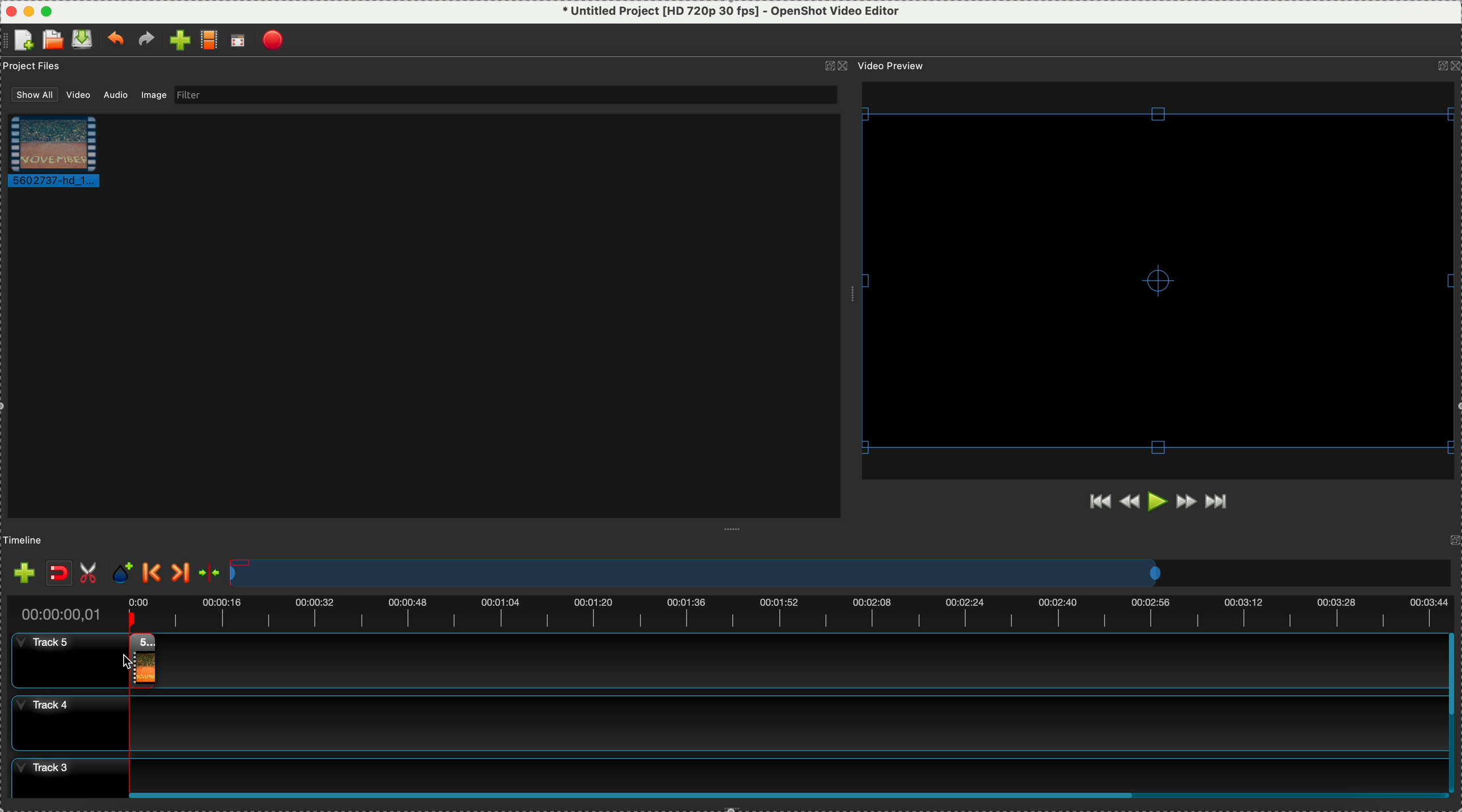 The height and width of the screenshot is (812, 1462). What do you see at coordinates (1161, 280) in the screenshot?
I see `video preview` at bounding box center [1161, 280].